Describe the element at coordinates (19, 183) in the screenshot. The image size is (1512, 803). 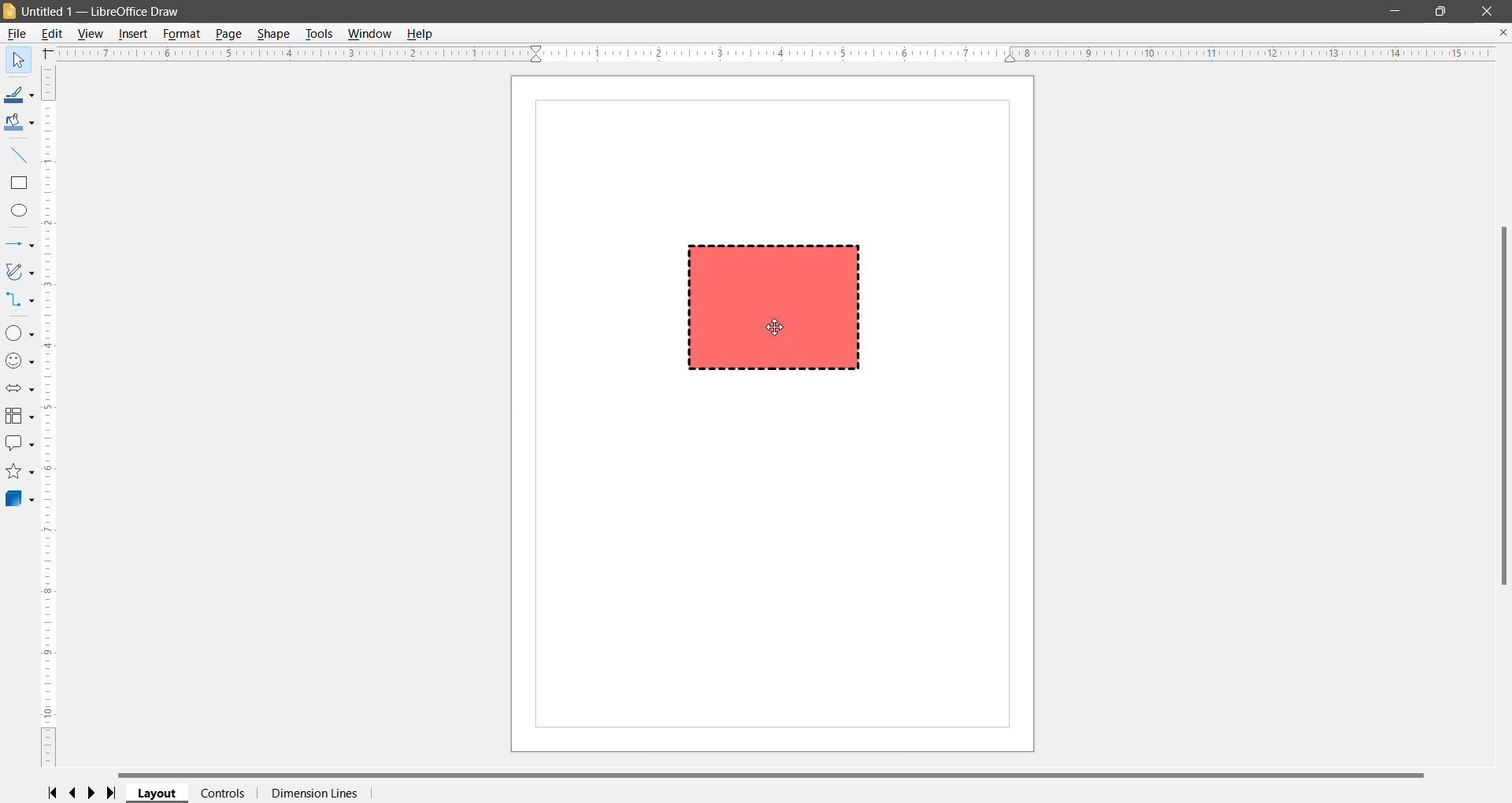
I see `Rectangle` at that location.